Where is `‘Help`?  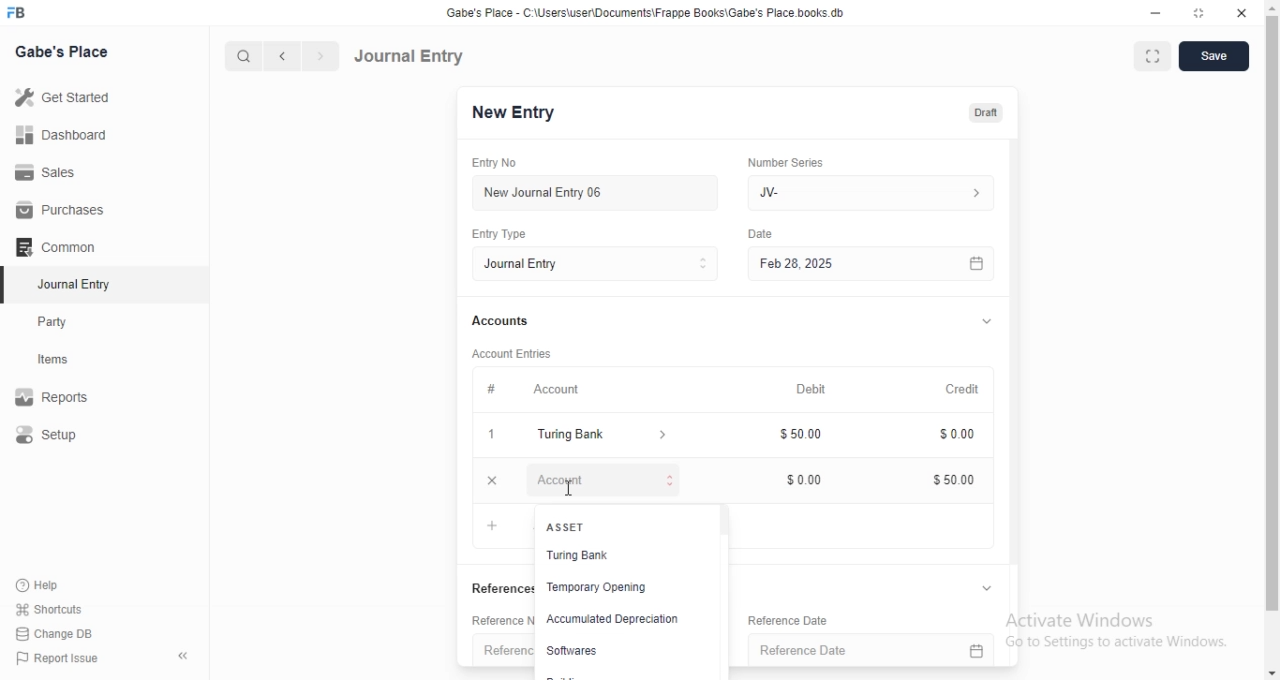
‘Help is located at coordinates (61, 585).